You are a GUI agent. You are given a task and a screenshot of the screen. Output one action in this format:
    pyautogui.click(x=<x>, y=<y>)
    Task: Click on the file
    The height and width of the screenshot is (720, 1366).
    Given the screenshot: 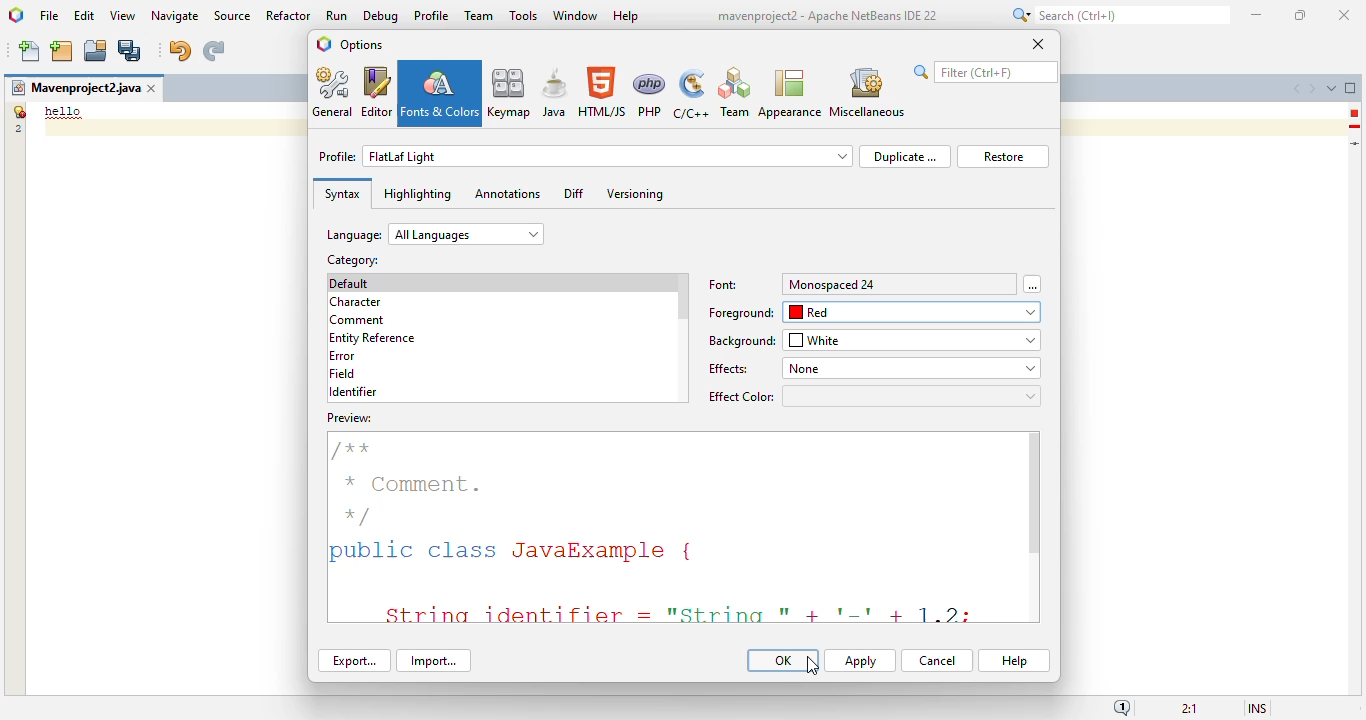 What is the action you would take?
    pyautogui.click(x=49, y=17)
    